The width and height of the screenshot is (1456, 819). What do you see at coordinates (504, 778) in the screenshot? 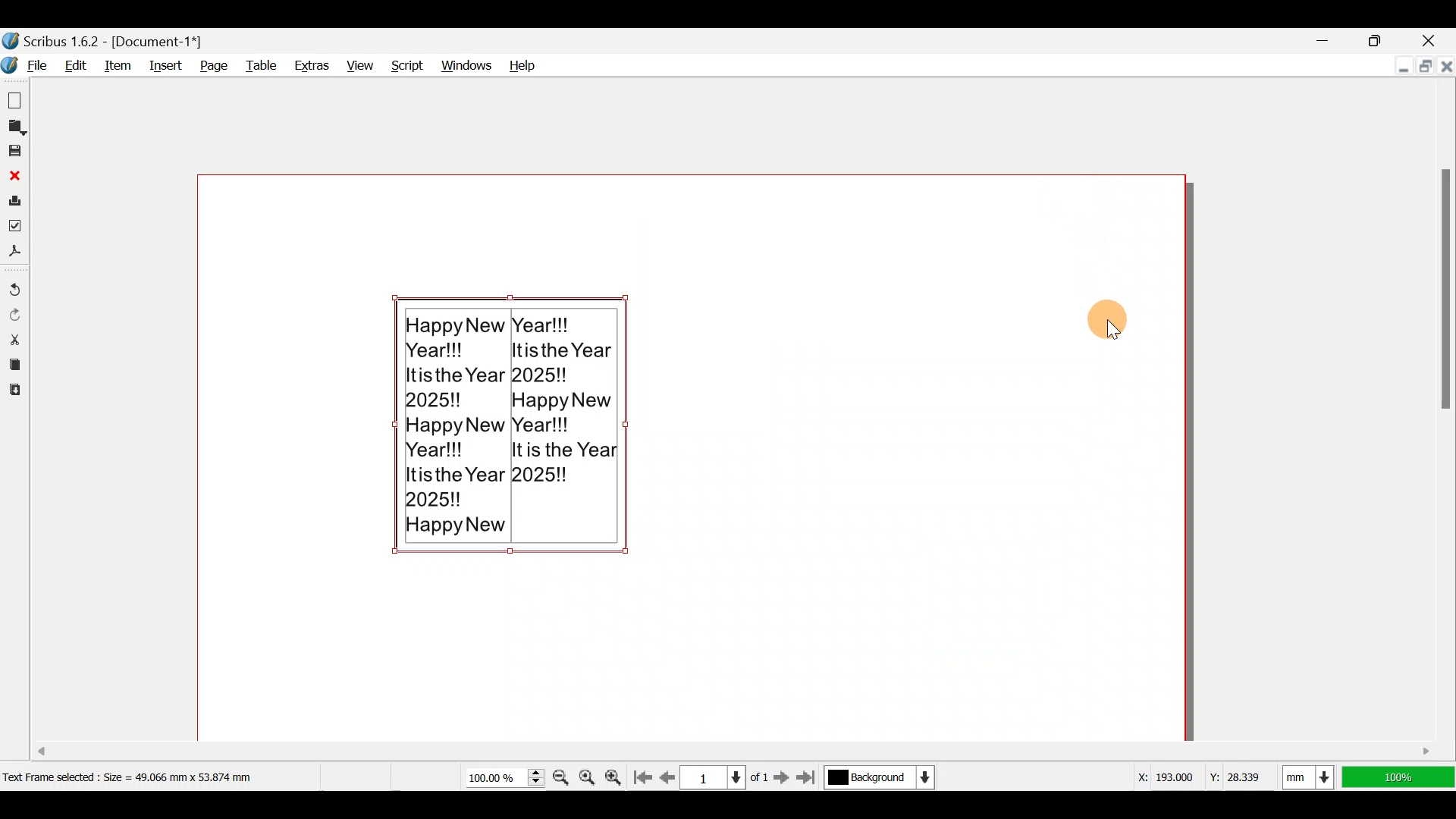
I see `Current zoom level` at bounding box center [504, 778].